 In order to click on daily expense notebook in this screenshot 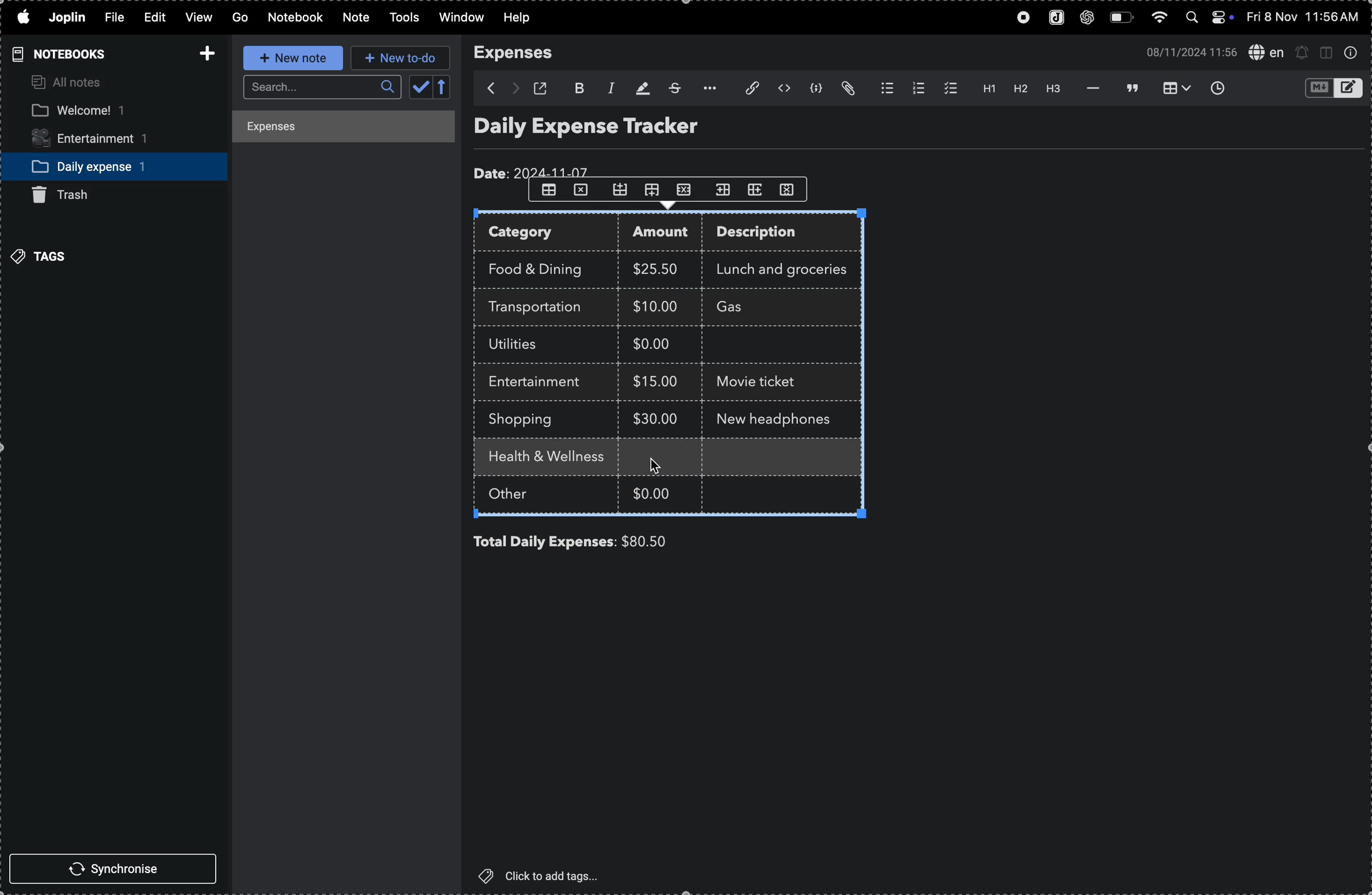, I will do `click(105, 166)`.